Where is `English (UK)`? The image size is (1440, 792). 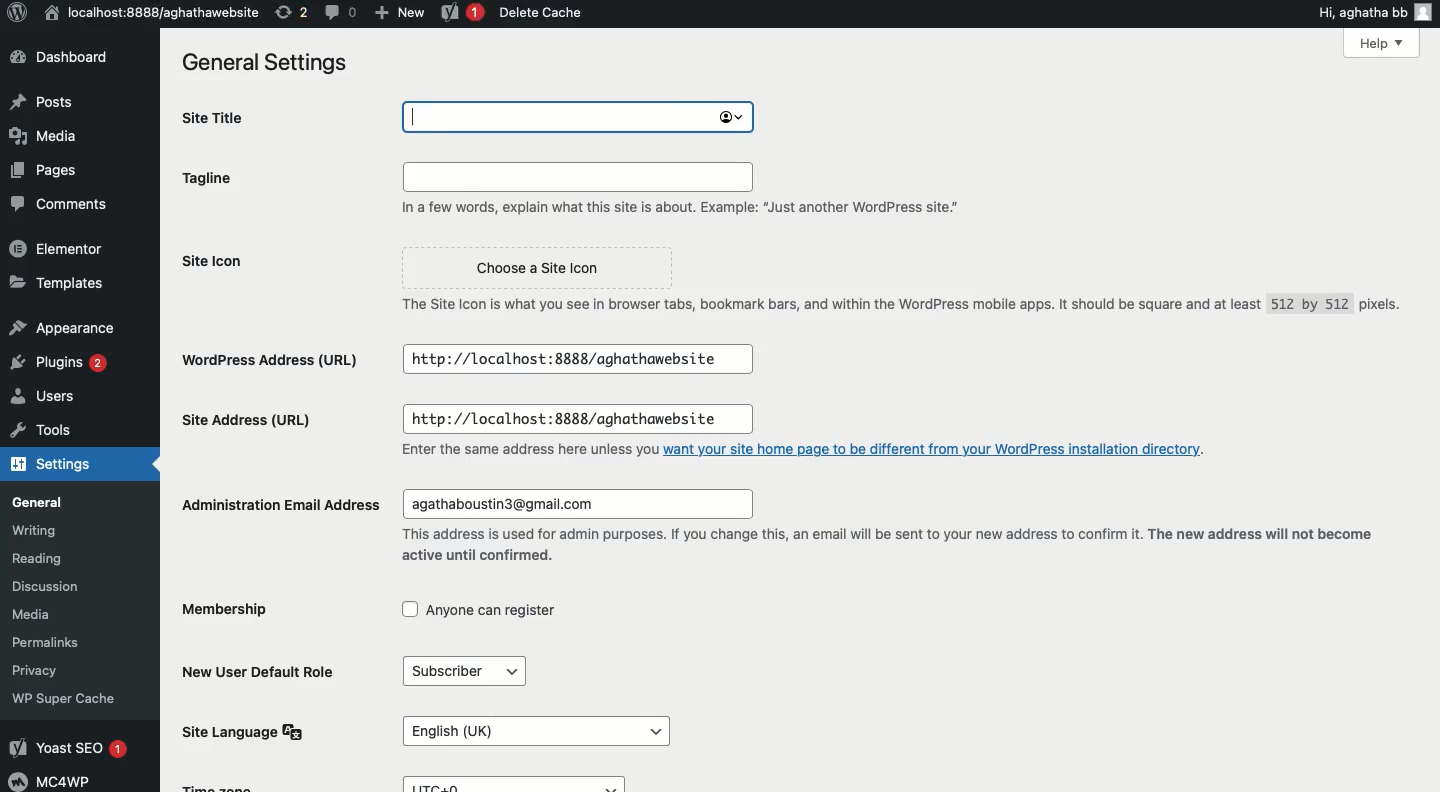 English (UK) is located at coordinates (534, 729).